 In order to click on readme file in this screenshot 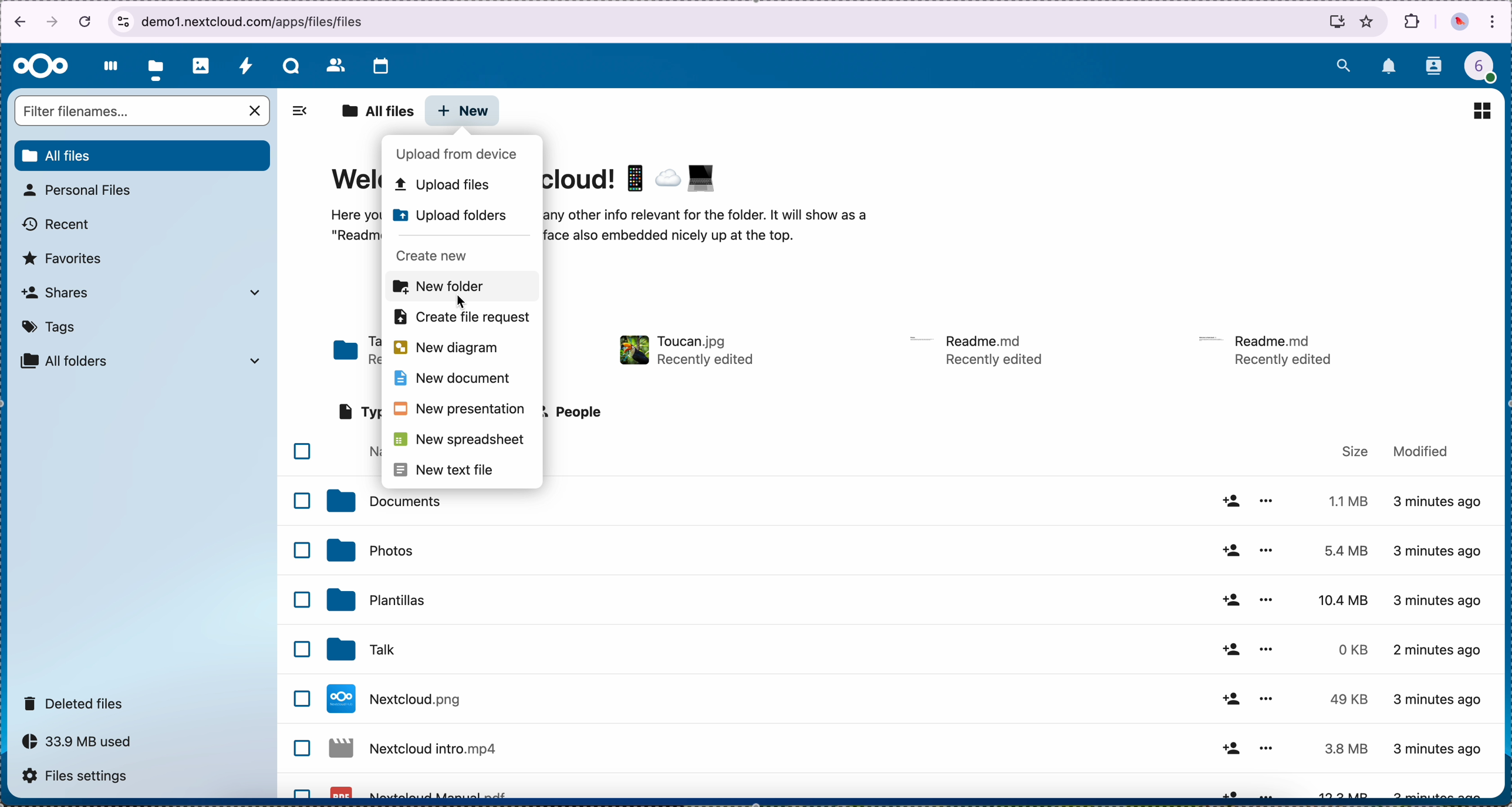, I will do `click(1271, 348)`.